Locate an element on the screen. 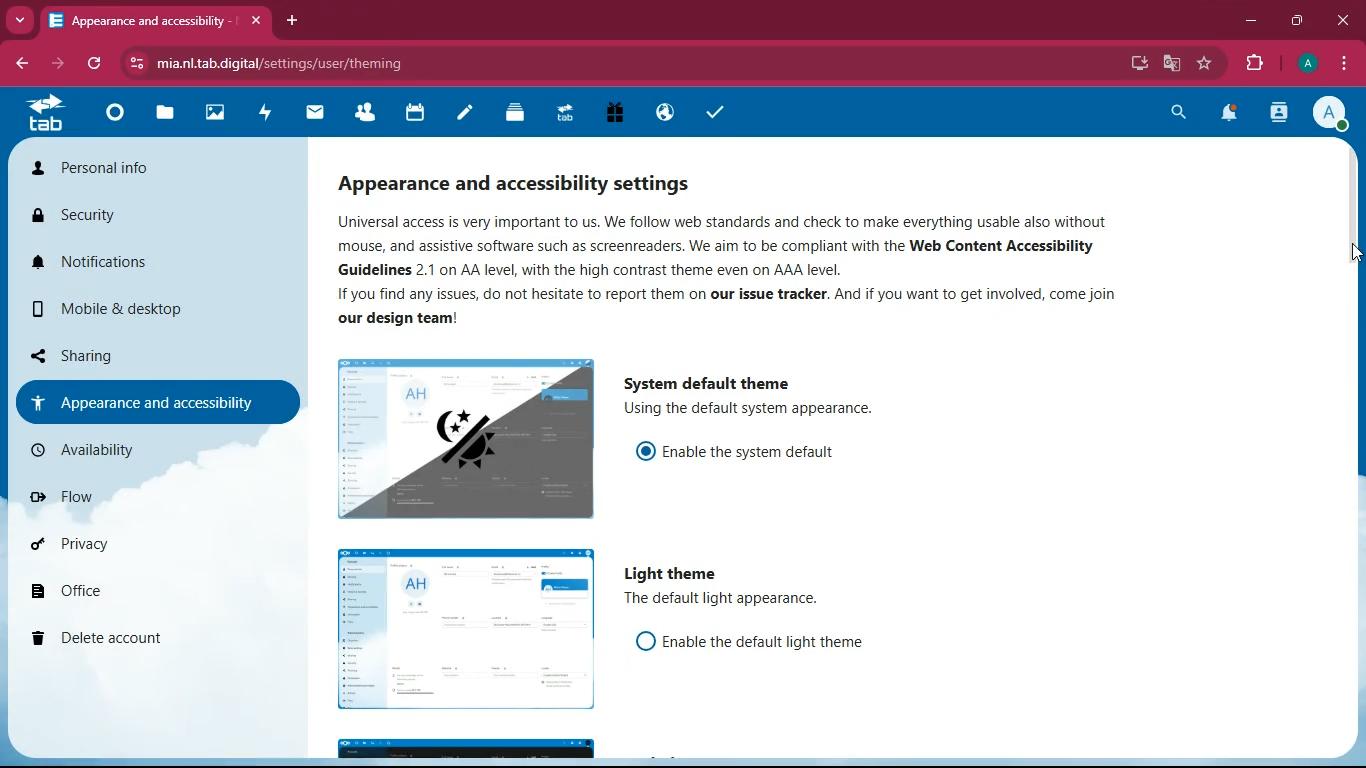 The image size is (1366, 768). maximize is located at coordinates (1293, 19).